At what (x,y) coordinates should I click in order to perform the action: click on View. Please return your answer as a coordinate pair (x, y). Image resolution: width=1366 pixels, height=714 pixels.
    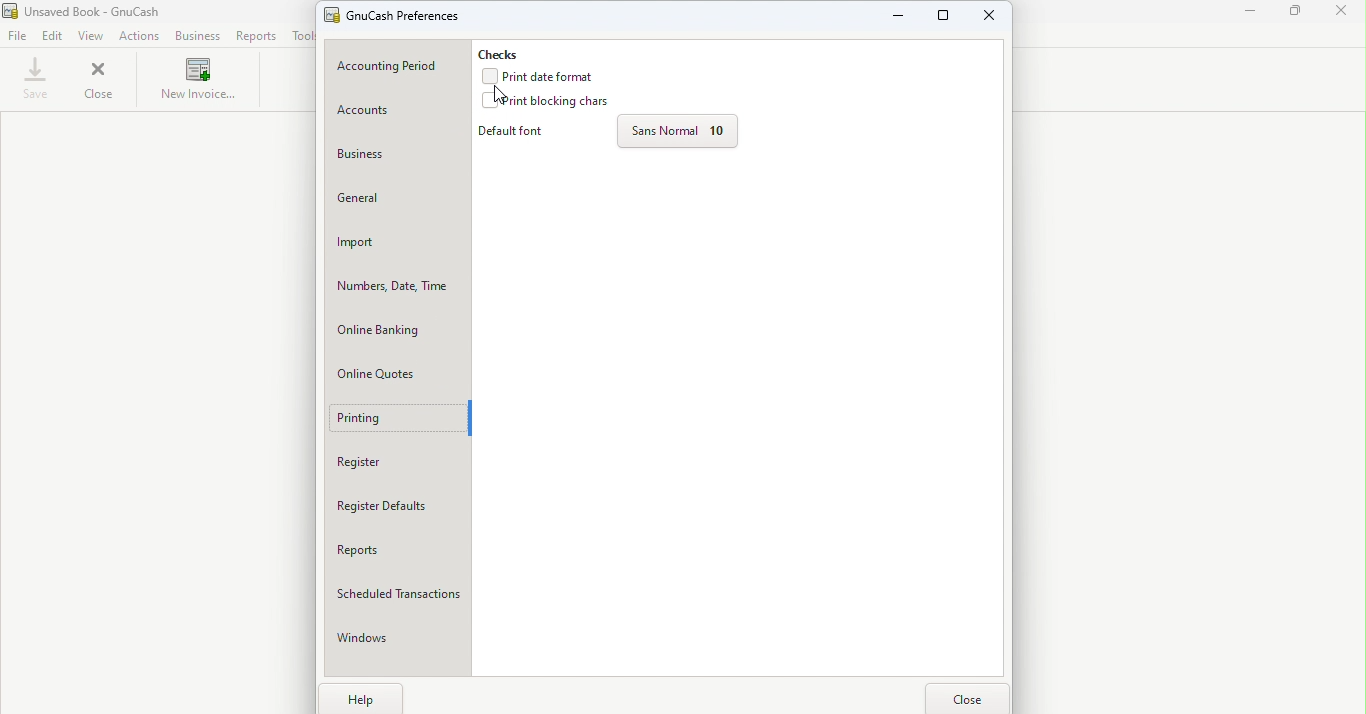
    Looking at the image, I should click on (92, 36).